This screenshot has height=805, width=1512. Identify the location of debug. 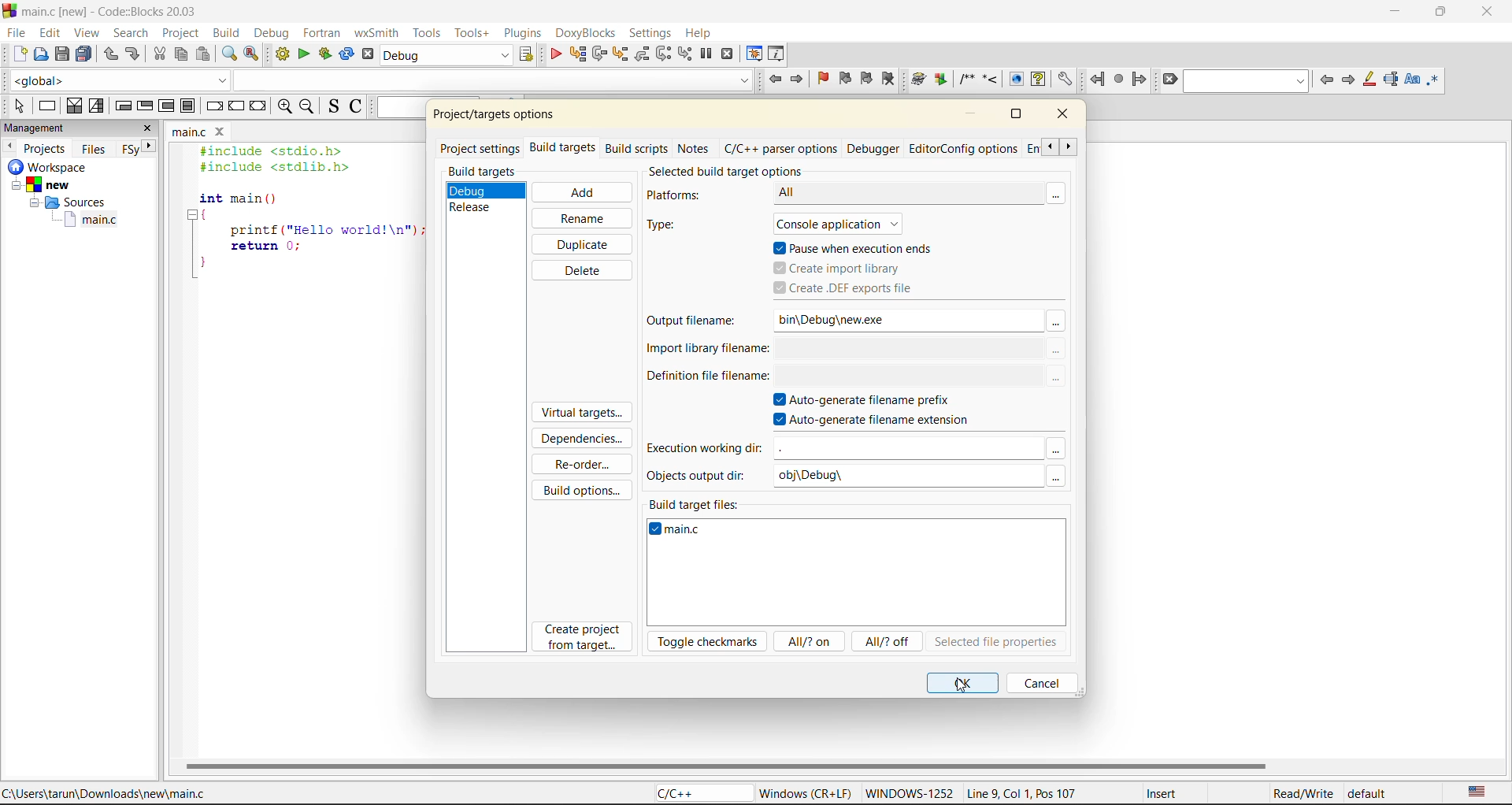
(475, 189).